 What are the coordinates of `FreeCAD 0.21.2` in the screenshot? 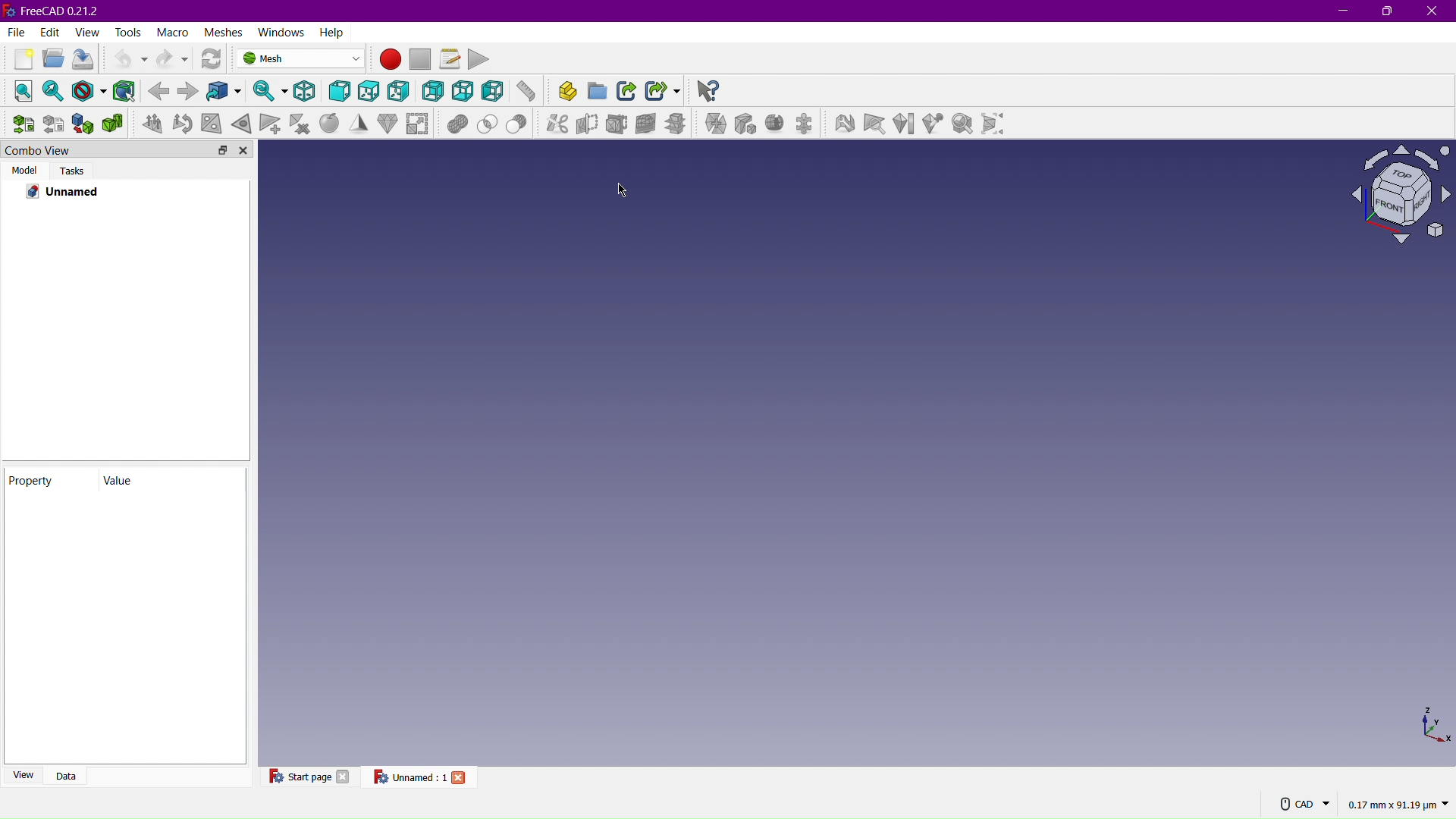 It's located at (58, 10).